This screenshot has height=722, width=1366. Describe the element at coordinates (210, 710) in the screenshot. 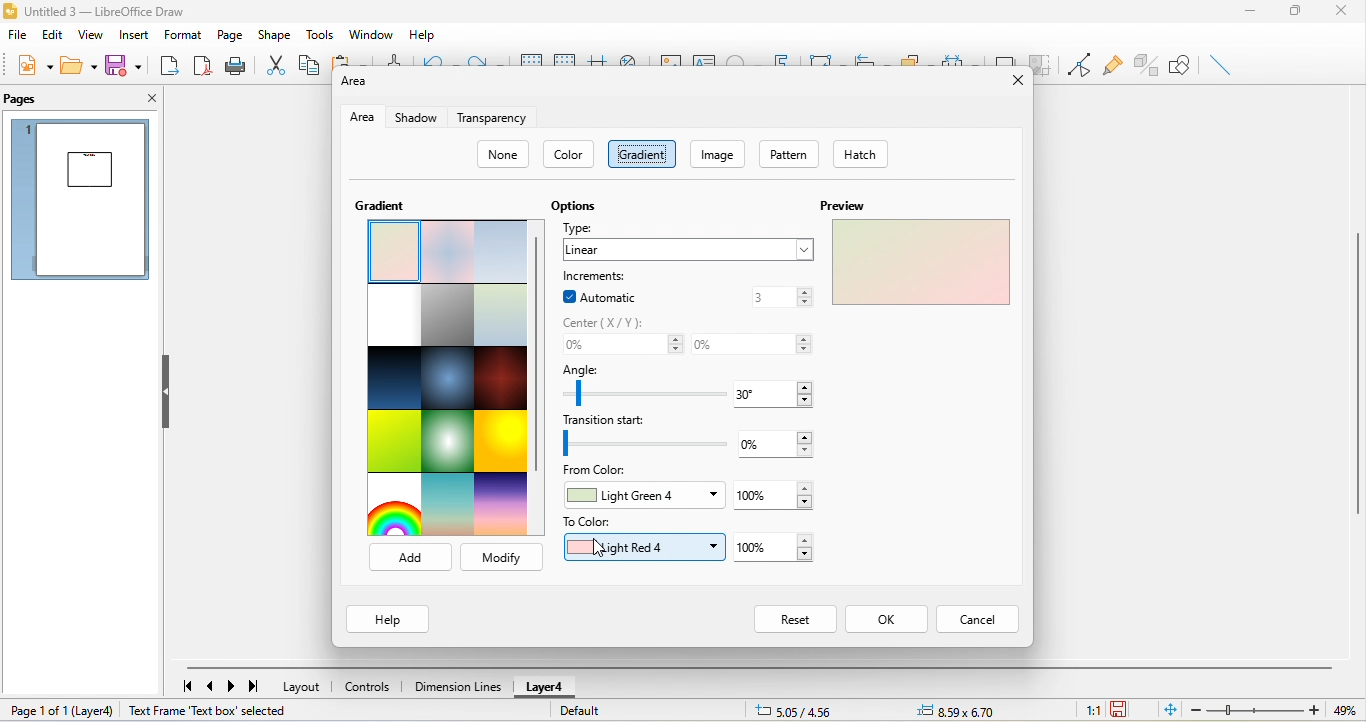

I see `text frame text box selected` at that location.